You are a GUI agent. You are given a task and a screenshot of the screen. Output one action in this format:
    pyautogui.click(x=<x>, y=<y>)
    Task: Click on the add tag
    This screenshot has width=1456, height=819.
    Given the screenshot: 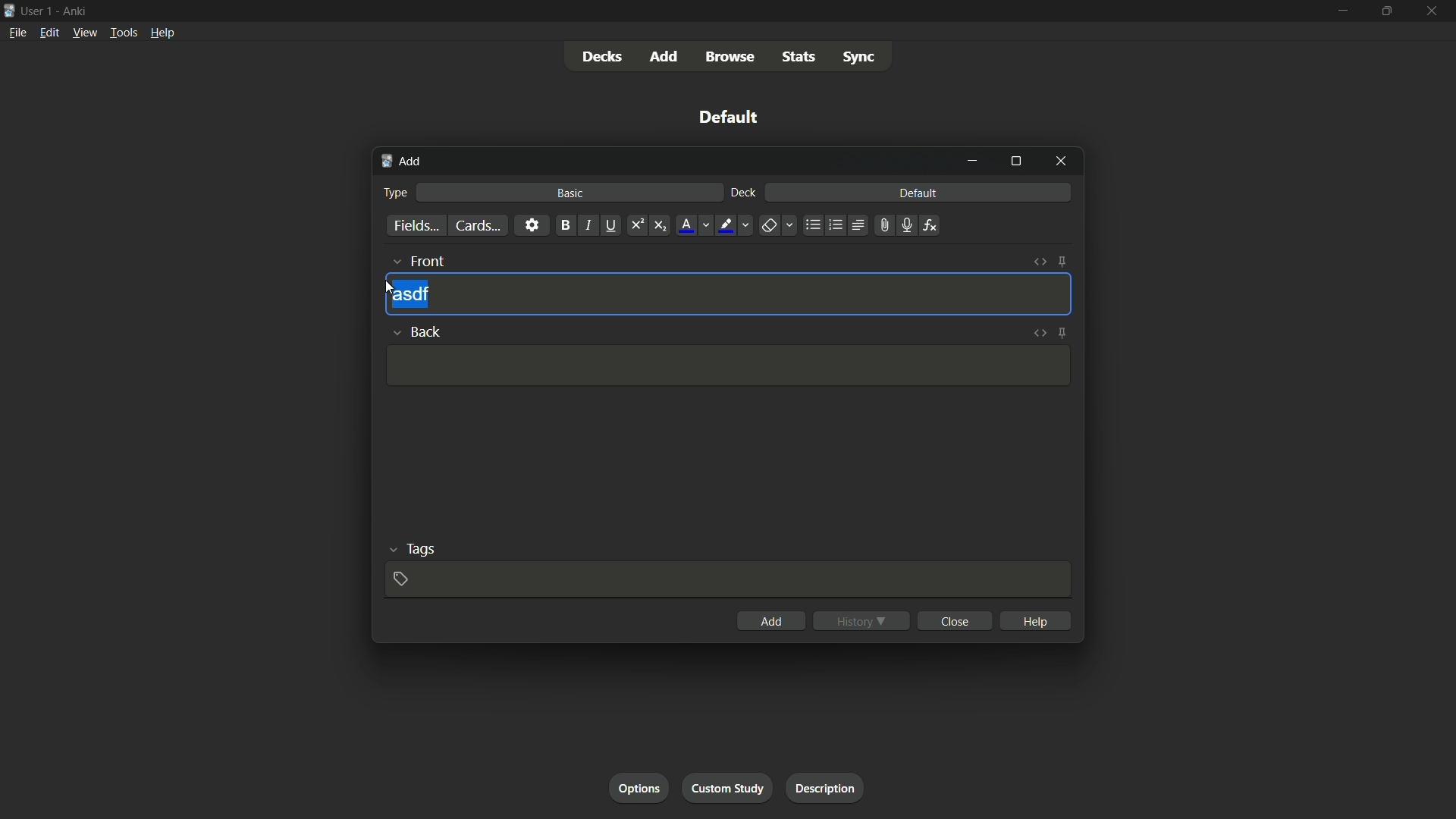 What is the action you would take?
    pyautogui.click(x=400, y=578)
    